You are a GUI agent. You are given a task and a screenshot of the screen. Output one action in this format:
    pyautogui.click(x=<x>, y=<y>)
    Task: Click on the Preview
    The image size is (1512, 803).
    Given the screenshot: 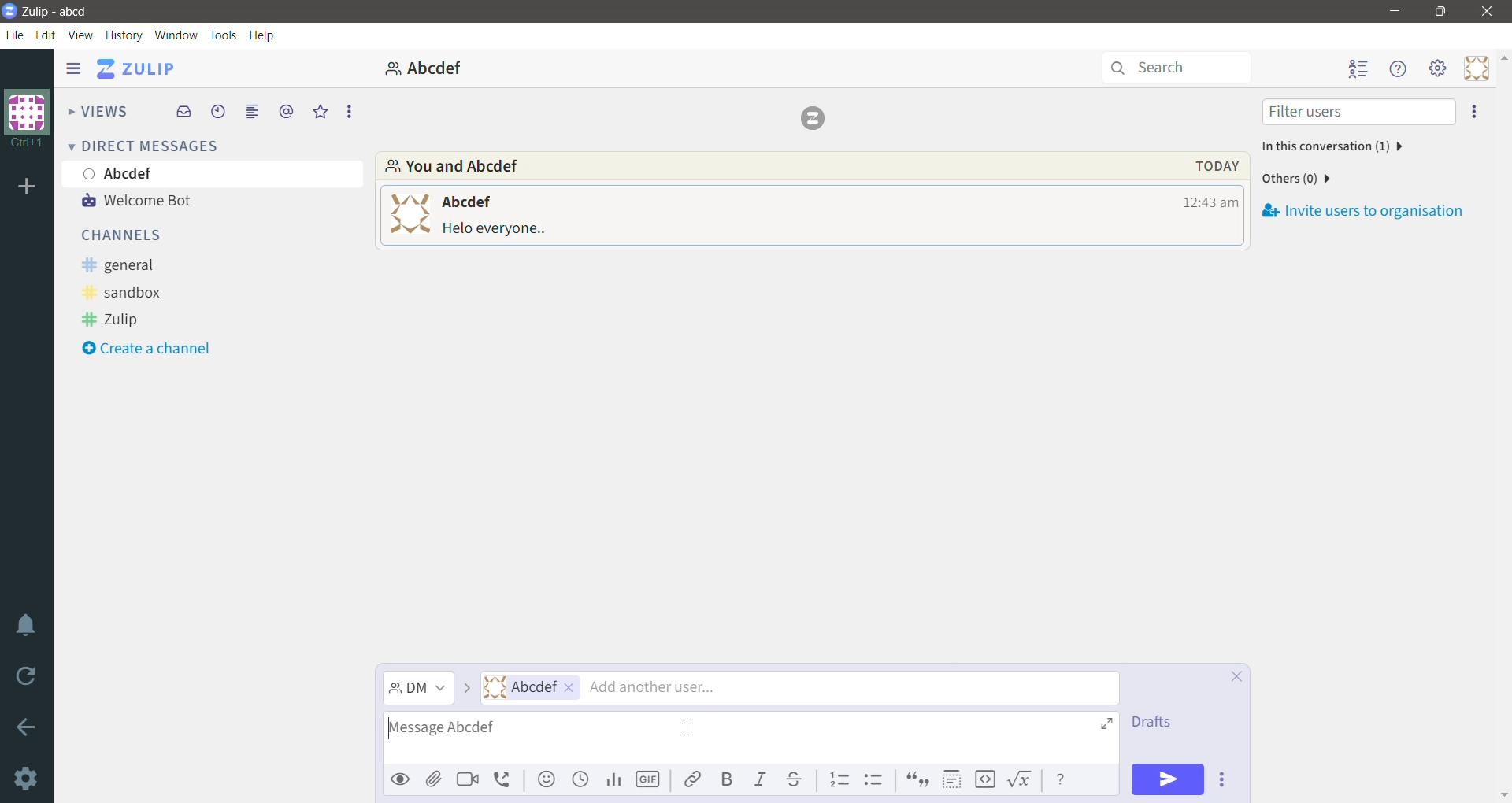 What is the action you would take?
    pyautogui.click(x=400, y=781)
    